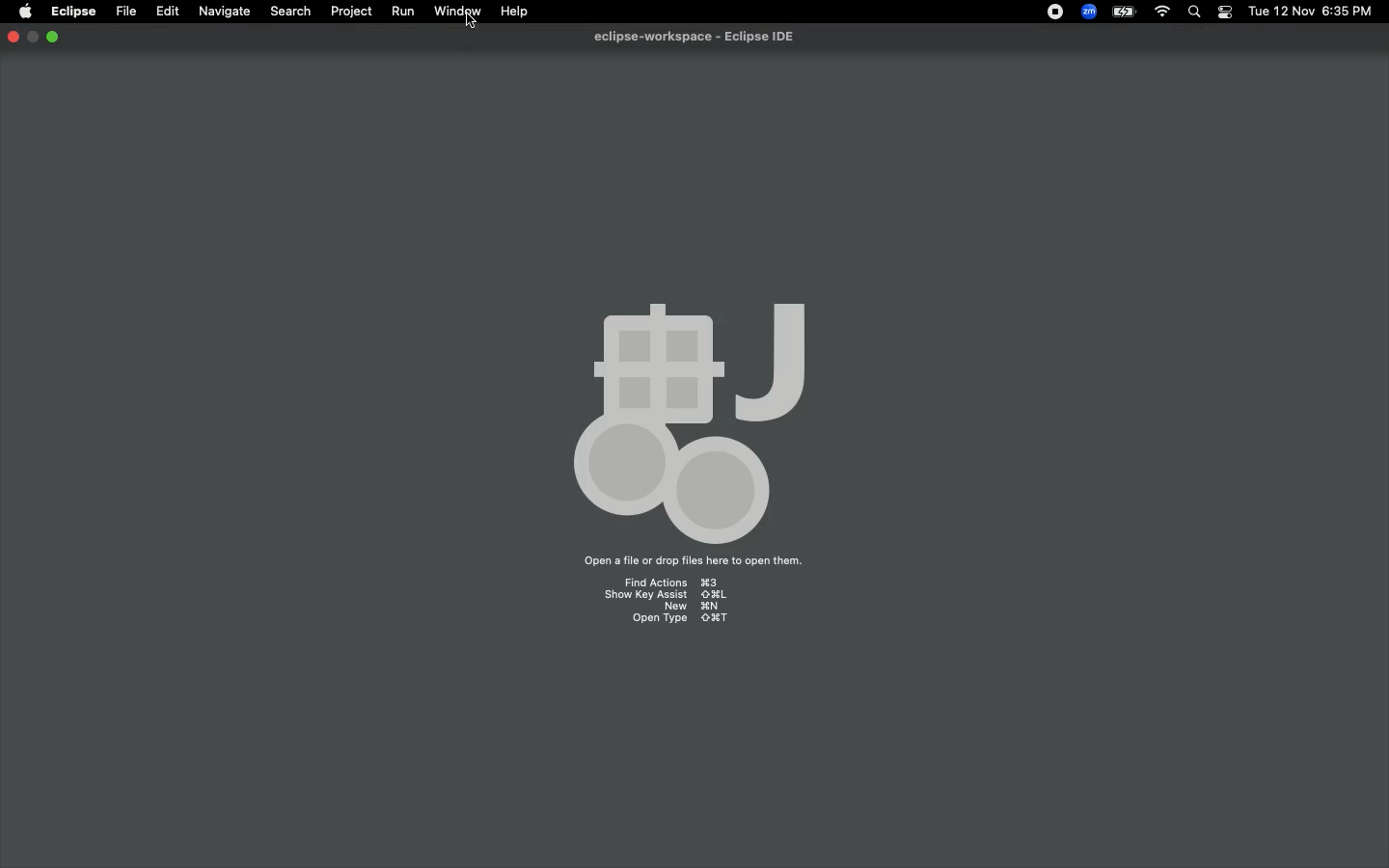  Describe the element at coordinates (685, 561) in the screenshot. I see `Drag files here to open them` at that location.